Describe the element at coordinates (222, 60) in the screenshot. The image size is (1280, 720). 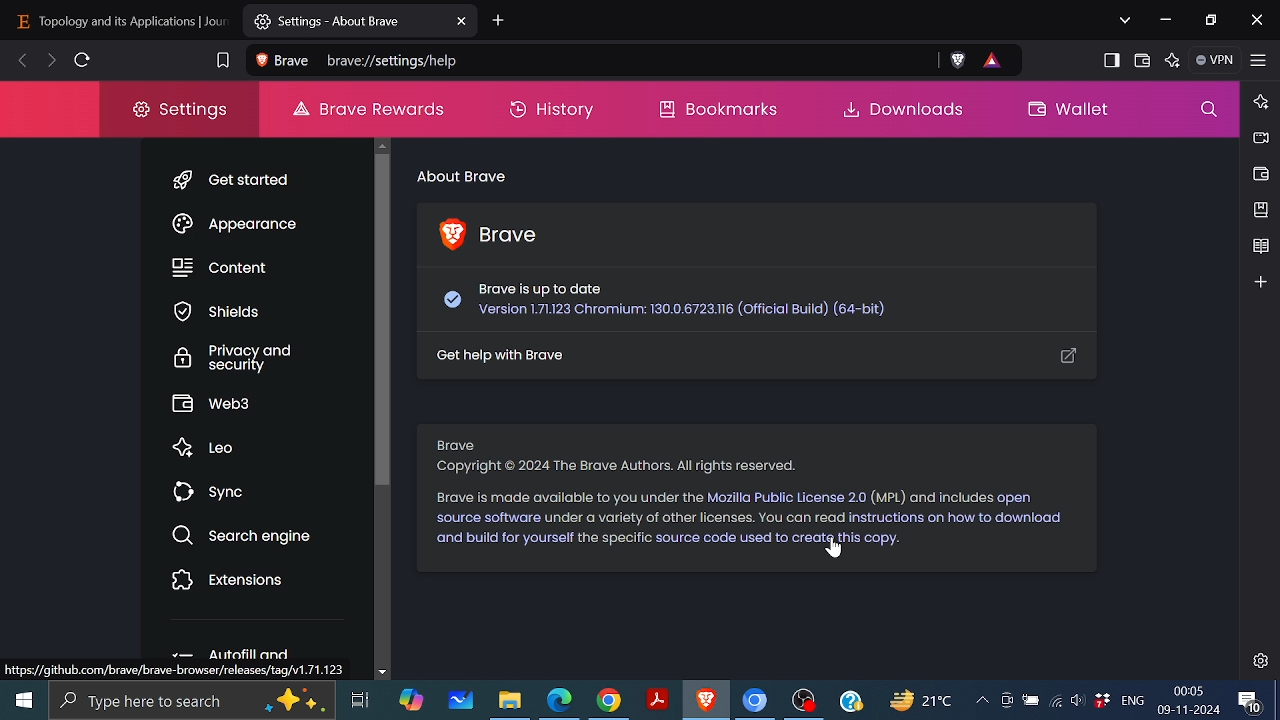
I see `bookmark this tab` at that location.